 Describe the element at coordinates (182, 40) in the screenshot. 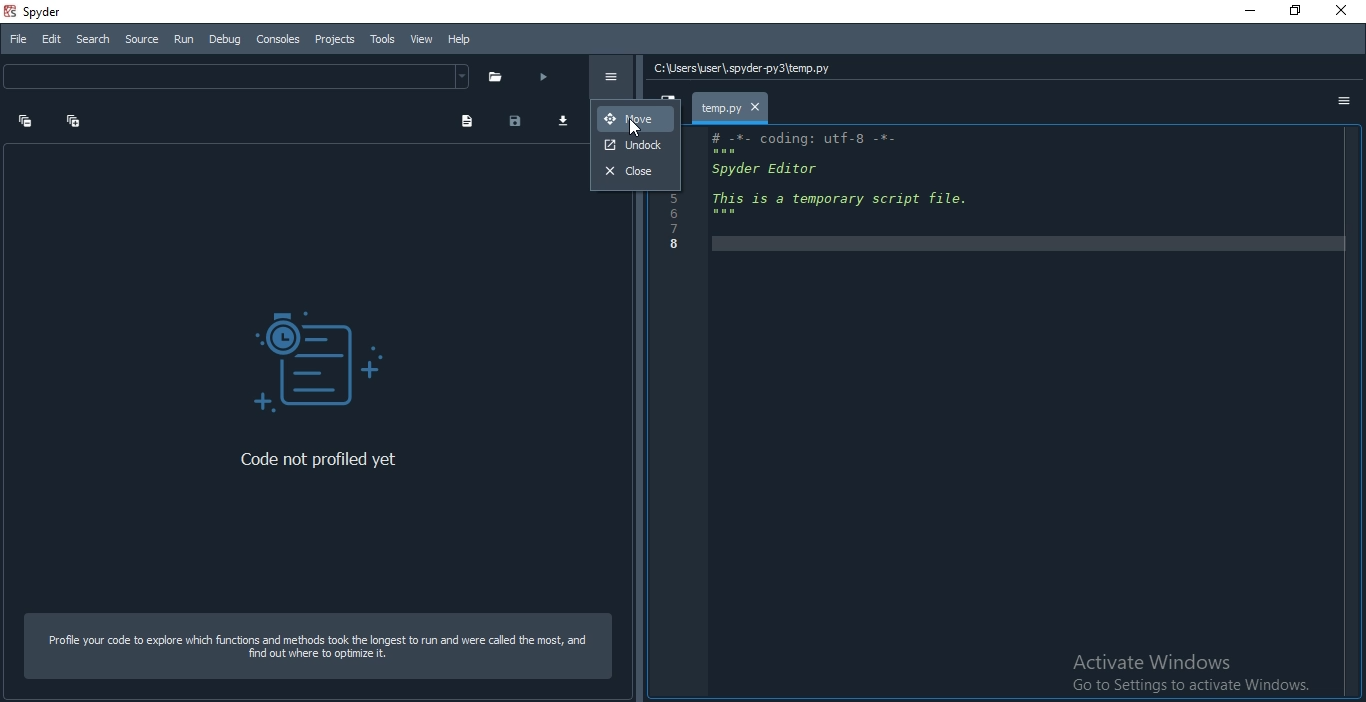

I see `Run` at that location.